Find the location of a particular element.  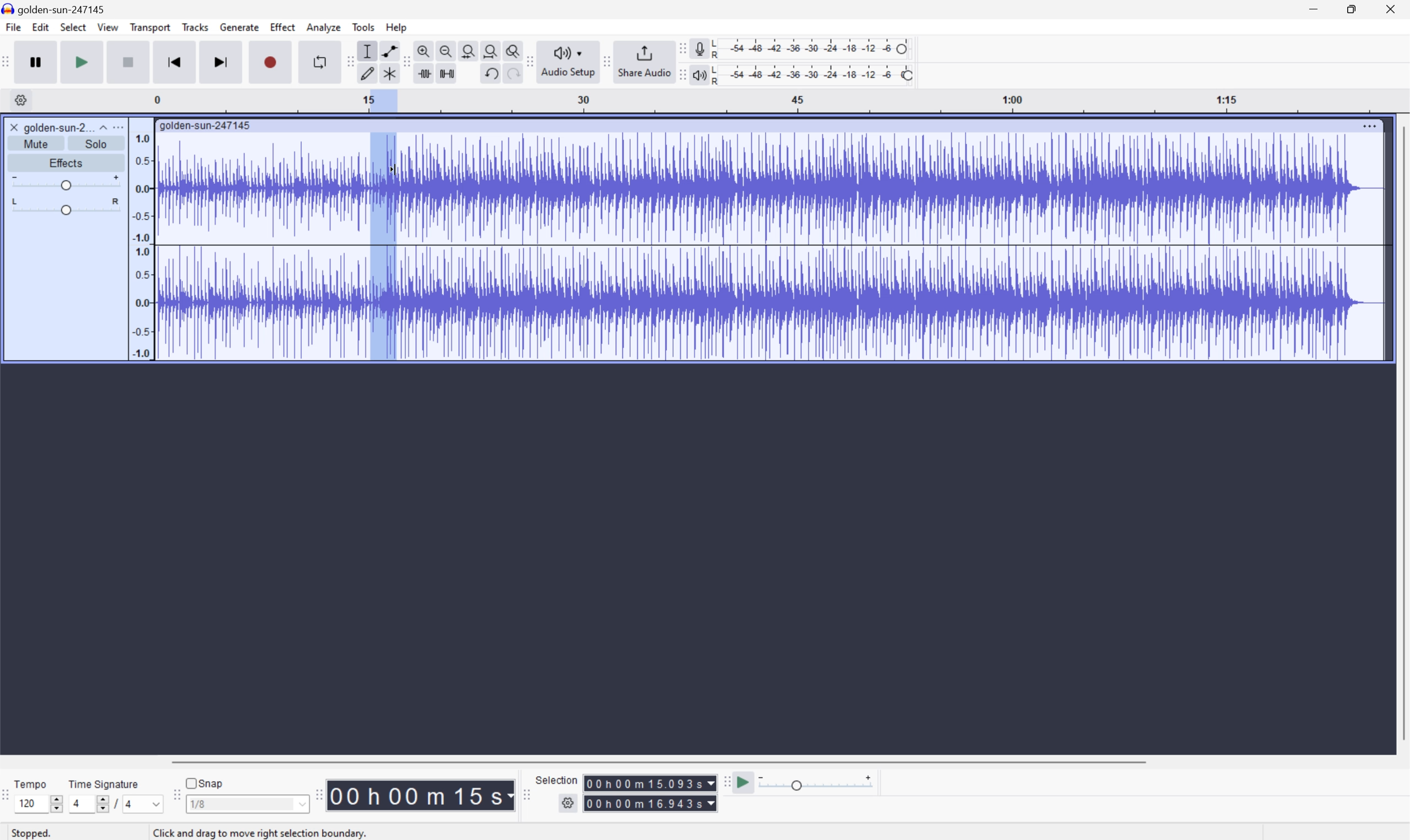

Record Meter  is located at coordinates (699, 47).